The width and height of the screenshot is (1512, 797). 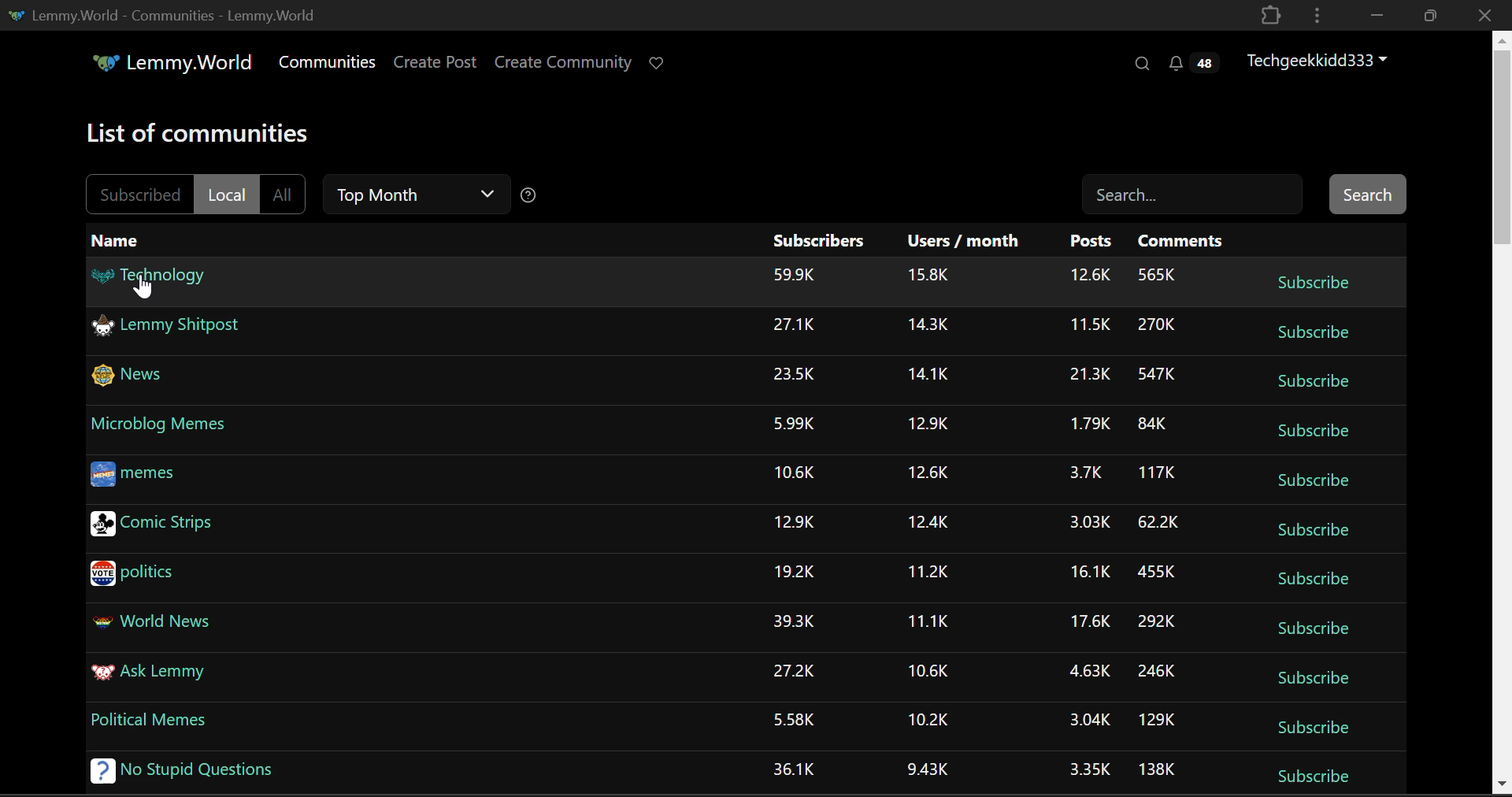 What do you see at coordinates (793, 424) in the screenshot?
I see `Amount` at bounding box center [793, 424].